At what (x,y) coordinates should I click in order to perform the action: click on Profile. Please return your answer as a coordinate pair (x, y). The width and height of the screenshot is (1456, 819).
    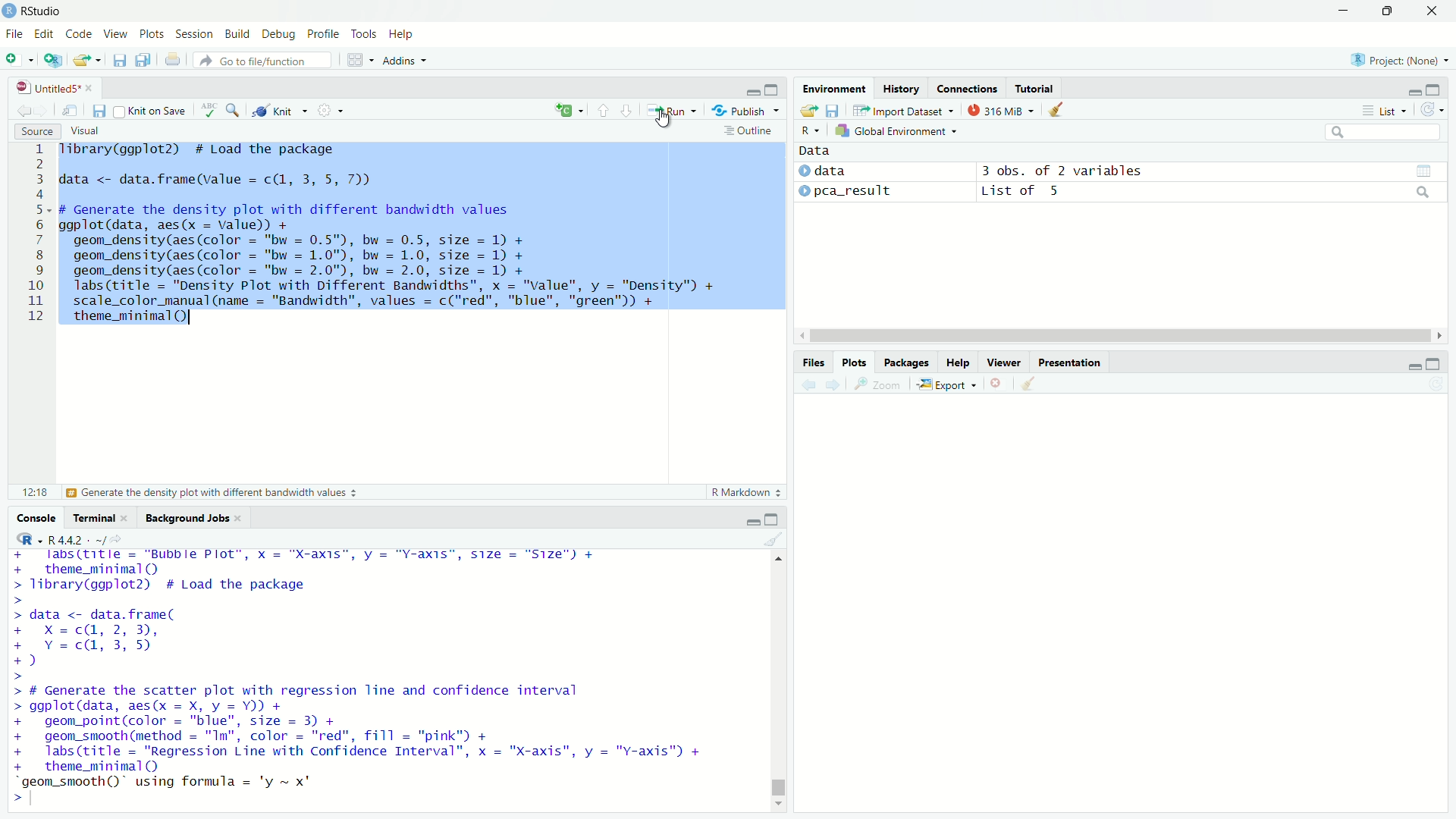
    Looking at the image, I should click on (323, 33).